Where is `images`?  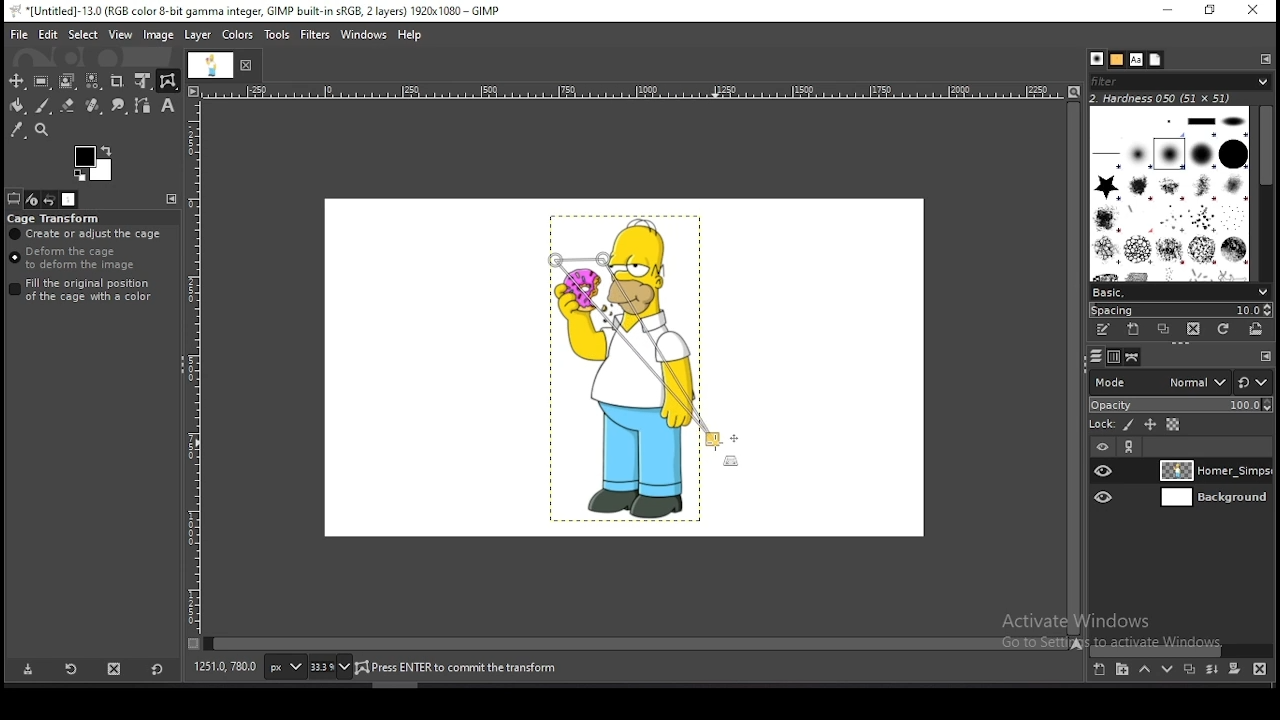 images is located at coordinates (70, 200).